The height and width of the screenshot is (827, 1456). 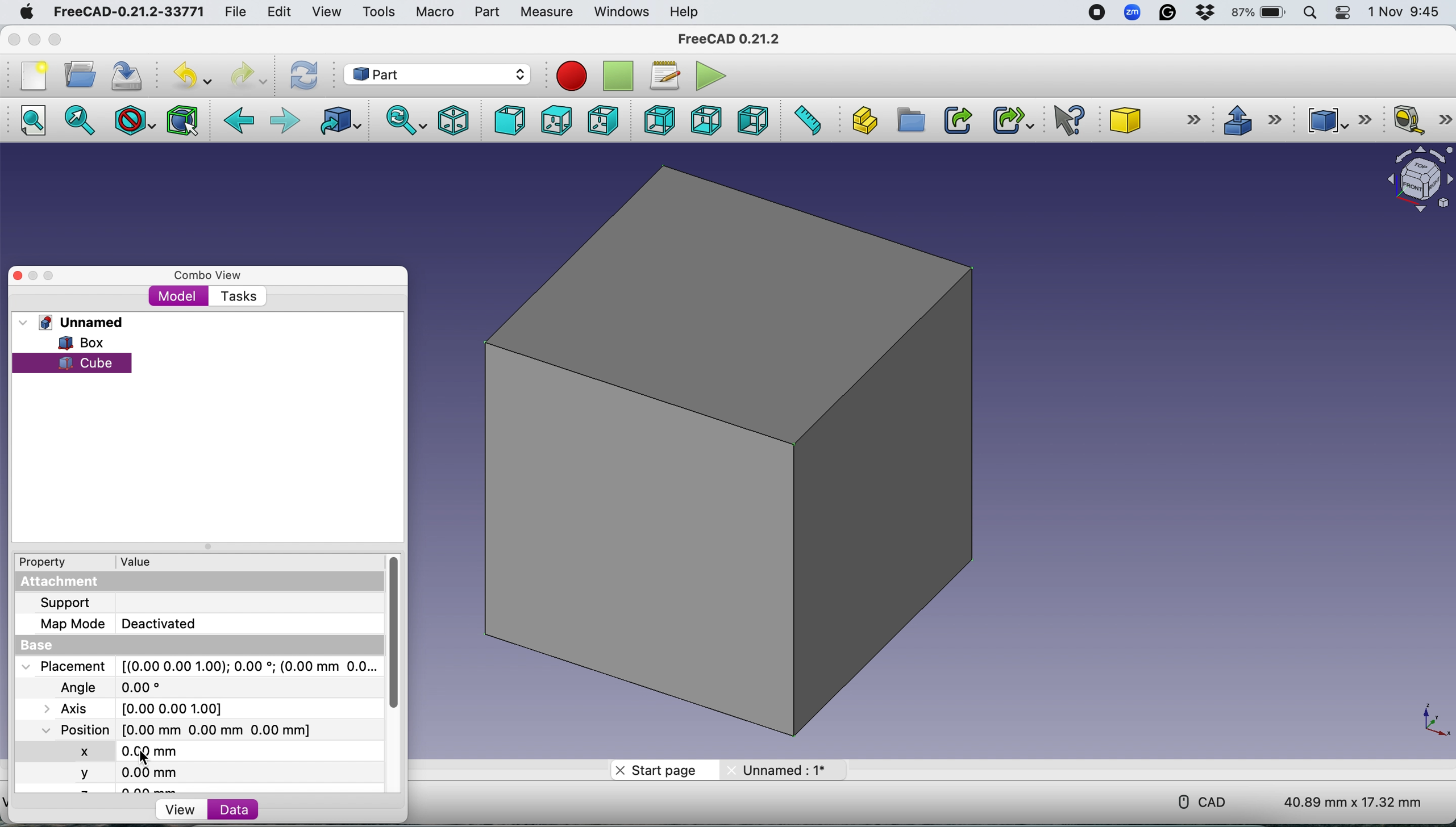 I want to click on Forward, so click(x=285, y=122).